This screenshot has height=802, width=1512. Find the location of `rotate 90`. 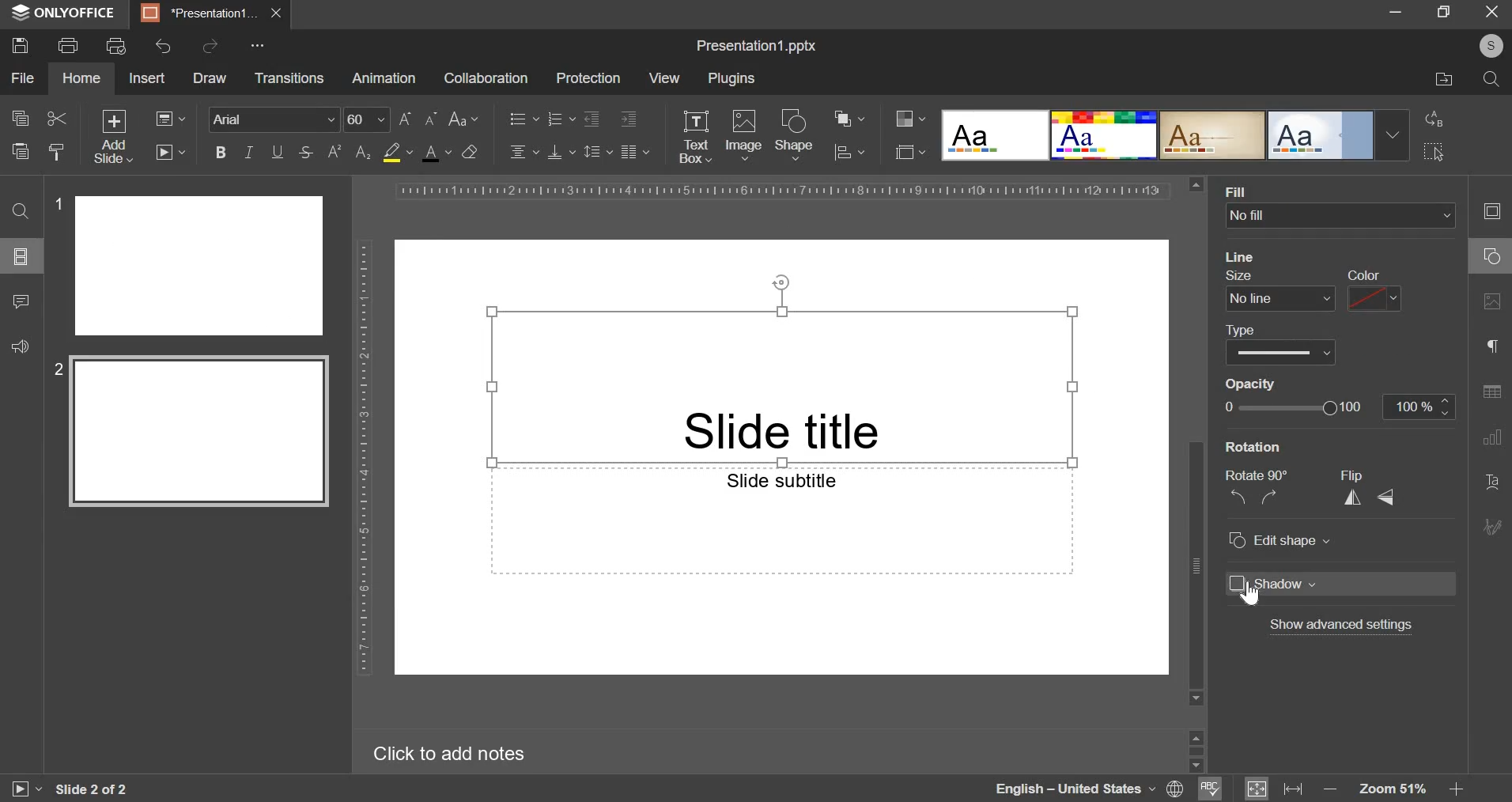

rotate 90 is located at coordinates (1258, 475).